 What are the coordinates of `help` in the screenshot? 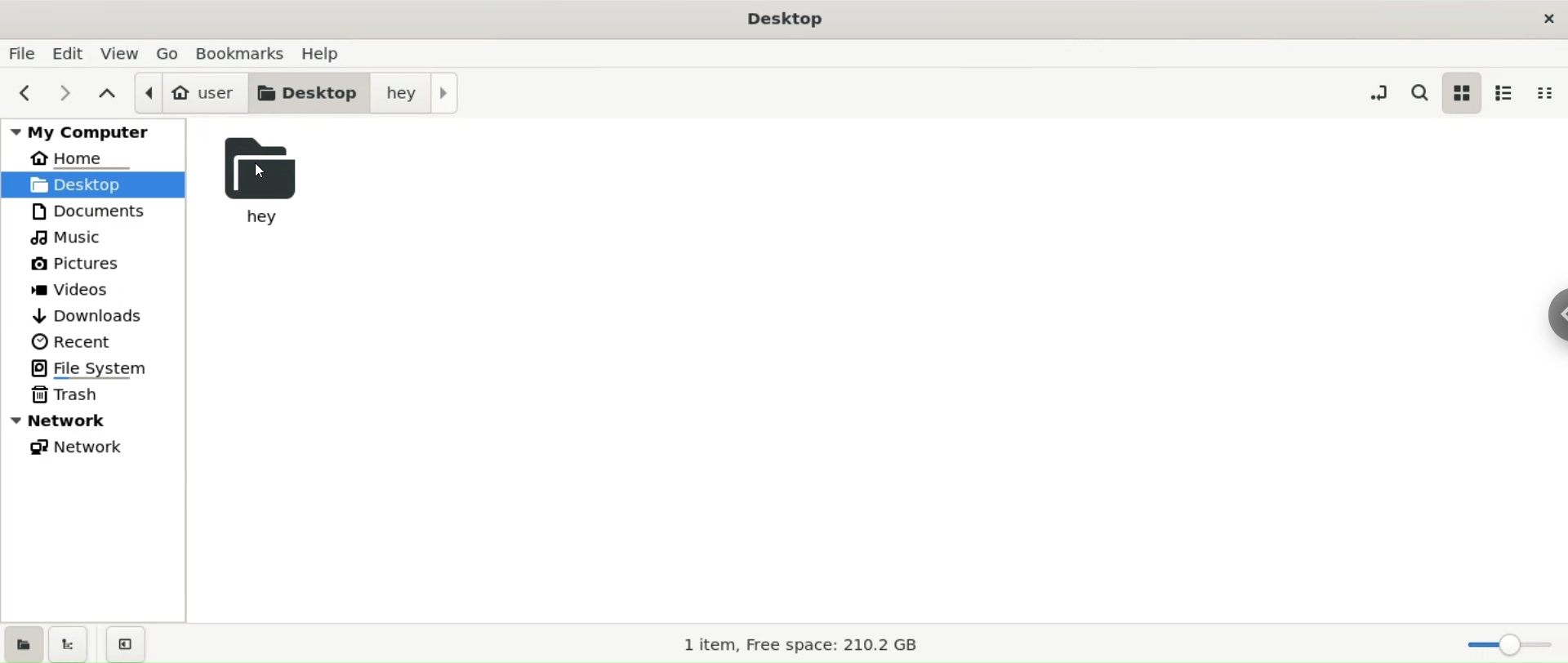 It's located at (324, 55).